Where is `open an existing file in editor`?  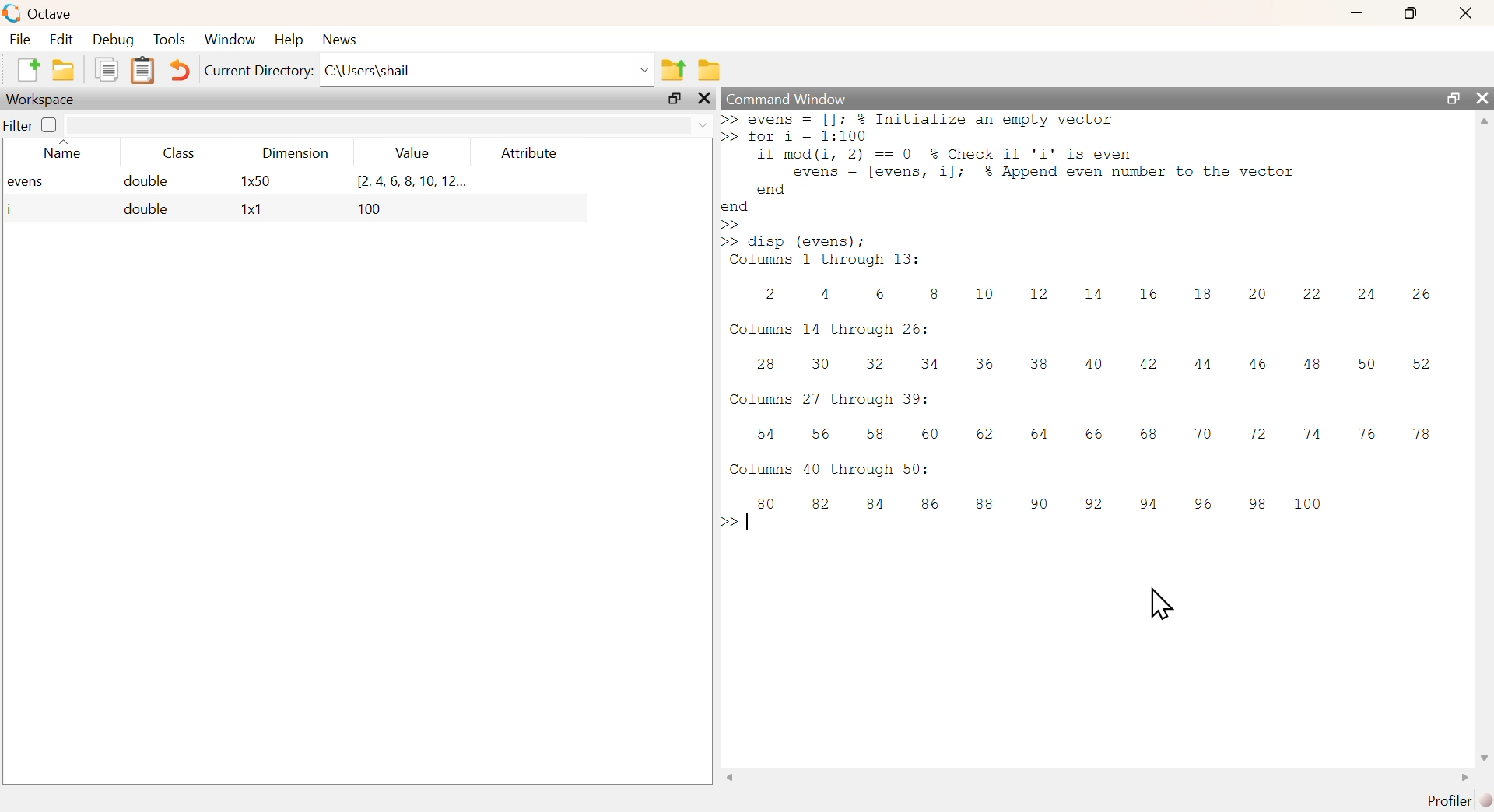 open an existing file in editor is located at coordinates (63, 69).